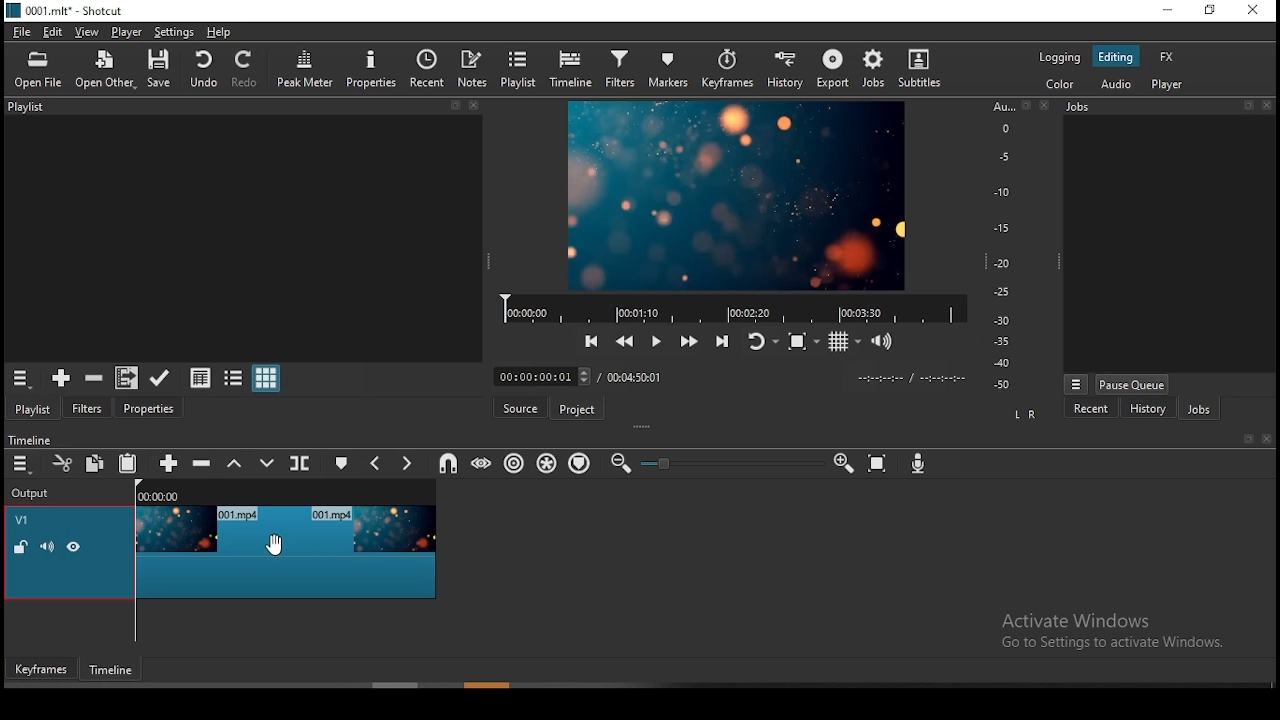 The width and height of the screenshot is (1280, 720). What do you see at coordinates (731, 462) in the screenshot?
I see `zoom in or zoom out slider` at bounding box center [731, 462].